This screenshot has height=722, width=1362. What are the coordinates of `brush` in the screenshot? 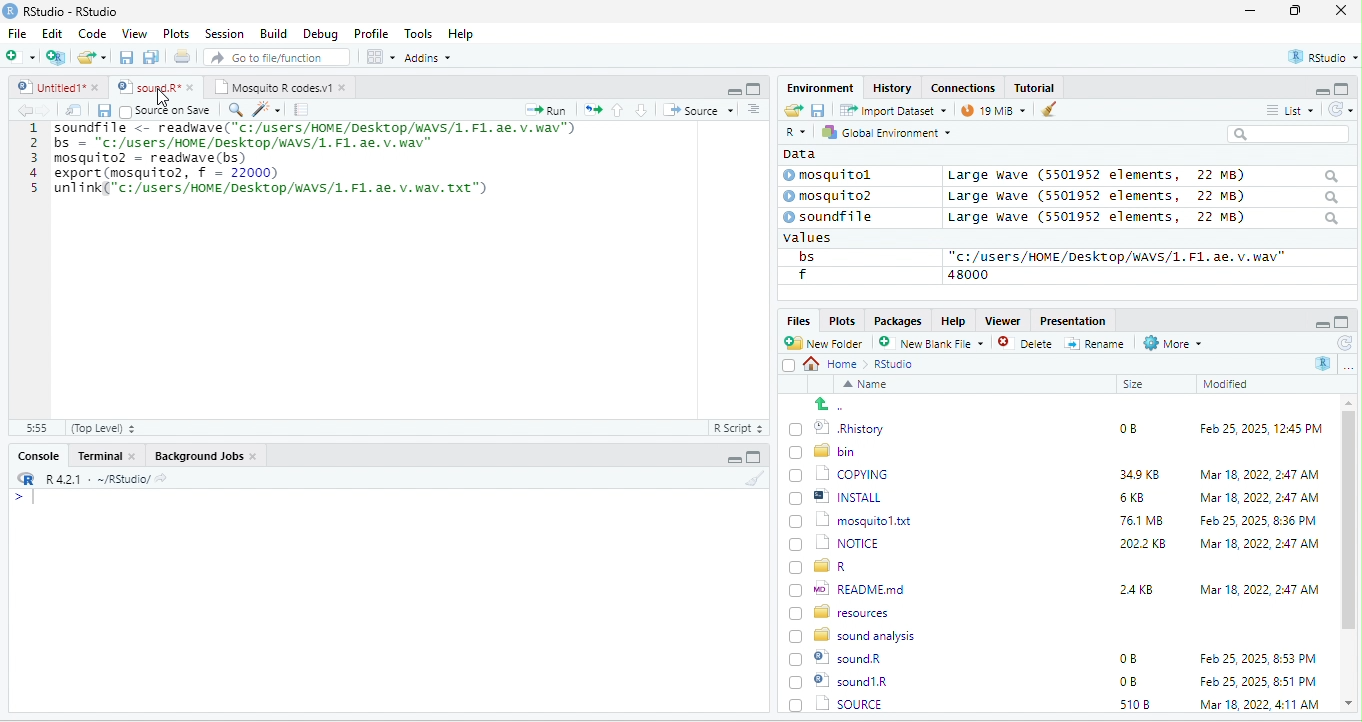 It's located at (757, 479).